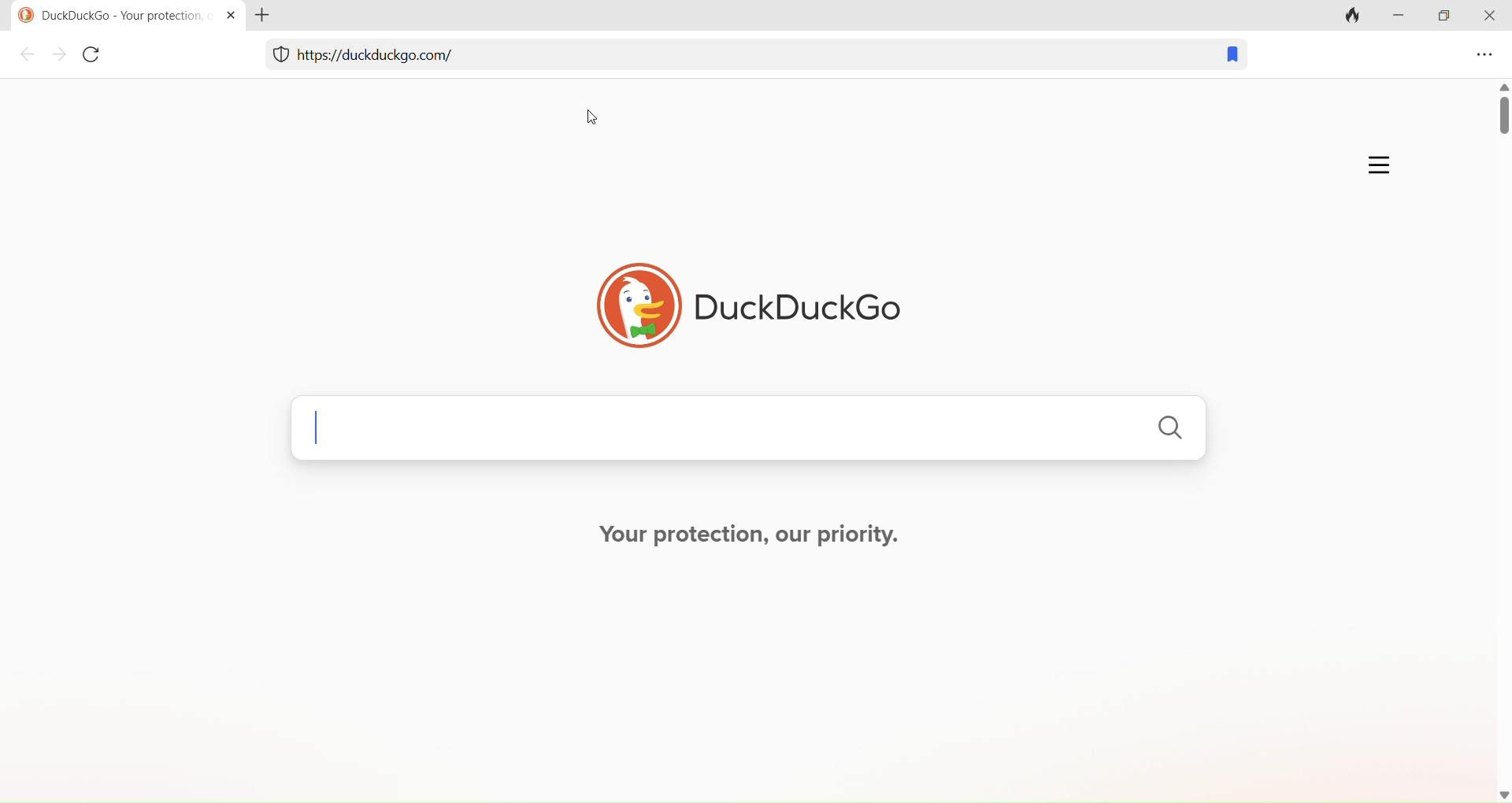 Image resolution: width=1512 pixels, height=803 pixels. What do you see at coordinates (1490, 430) in the screenshot?
I see `scroll bar` at bounding box center [1490, 430].